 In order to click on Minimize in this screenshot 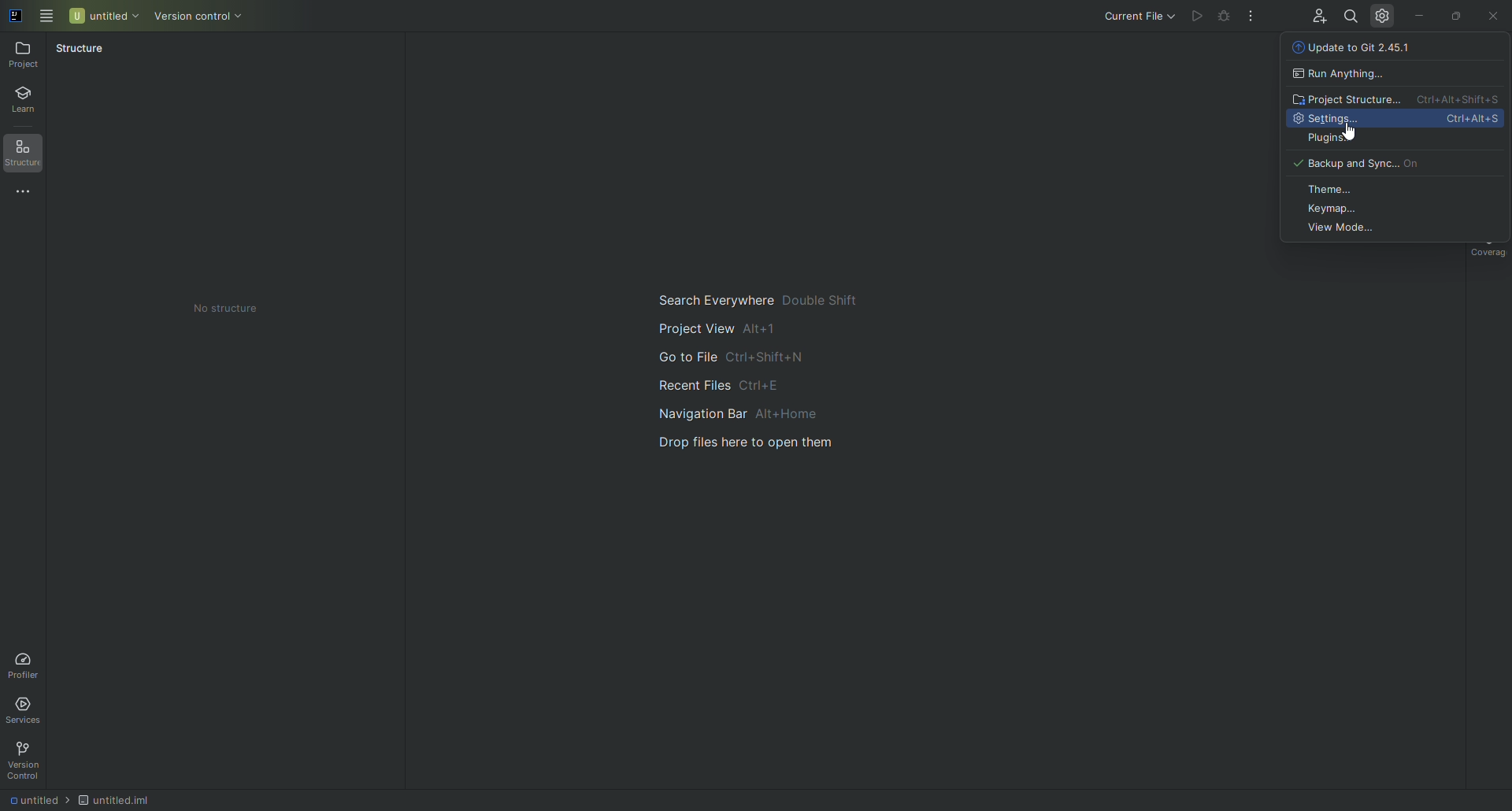, I will do `click(1418, 15)`.